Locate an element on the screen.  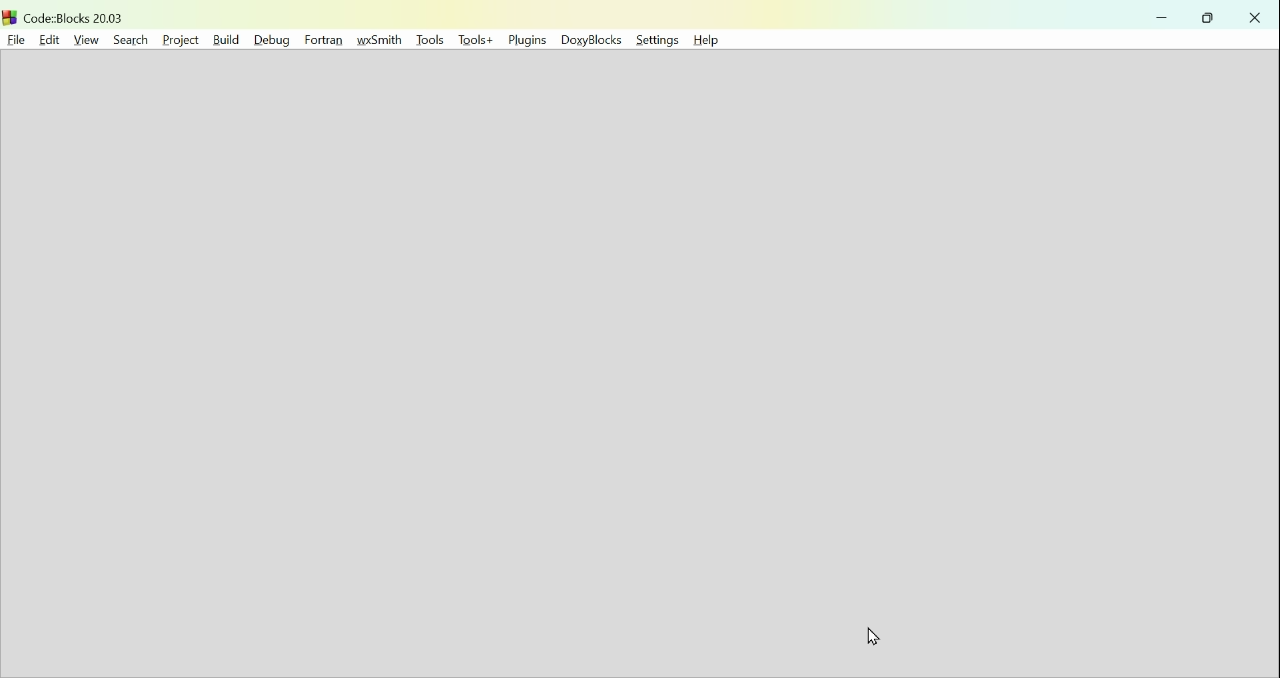
Search is located at coordinates (127, 38).